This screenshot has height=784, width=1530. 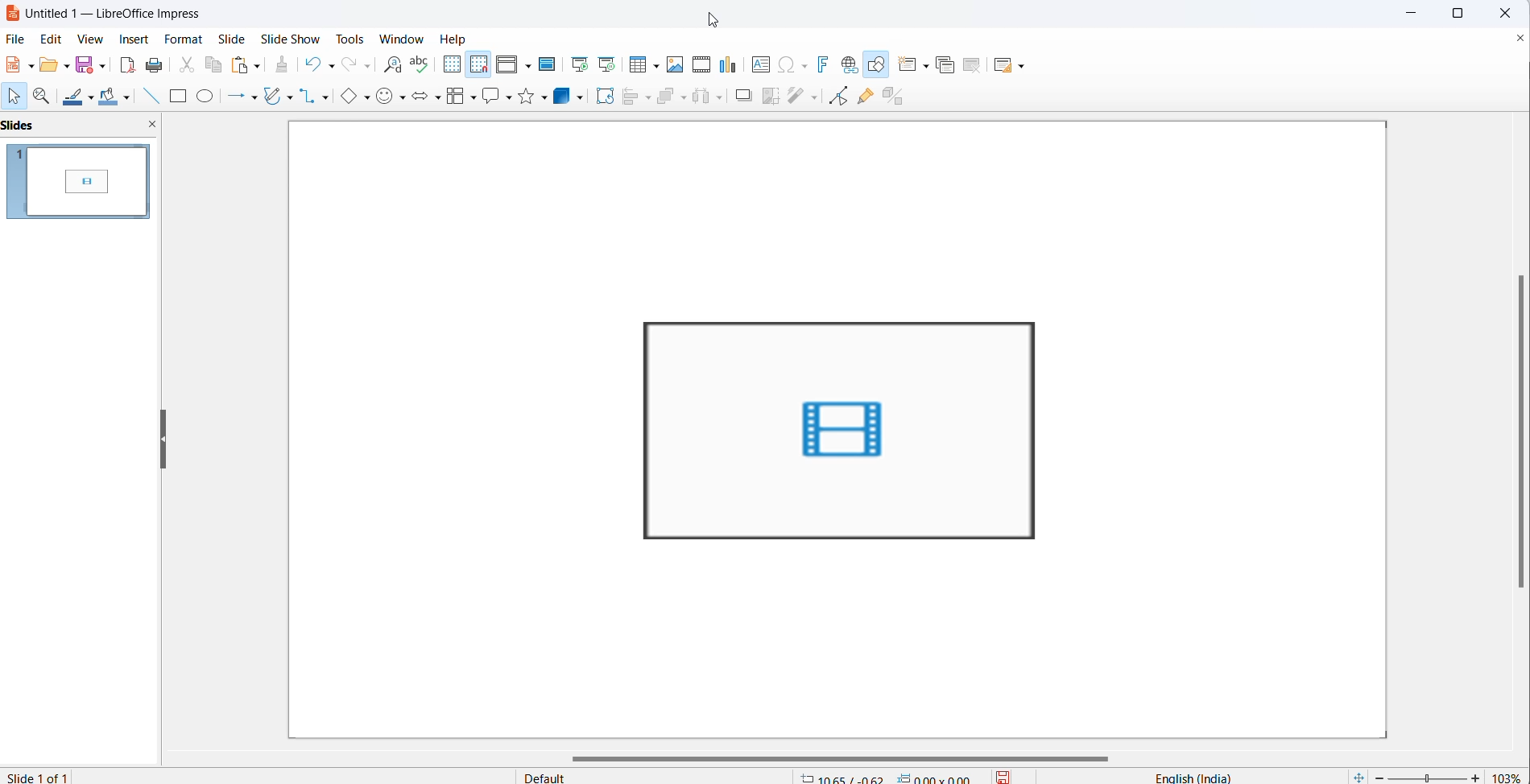 What do you see at coordinates (659, 775) in the screenshot?
I see `slide master type` at bounding box center [659, 775].